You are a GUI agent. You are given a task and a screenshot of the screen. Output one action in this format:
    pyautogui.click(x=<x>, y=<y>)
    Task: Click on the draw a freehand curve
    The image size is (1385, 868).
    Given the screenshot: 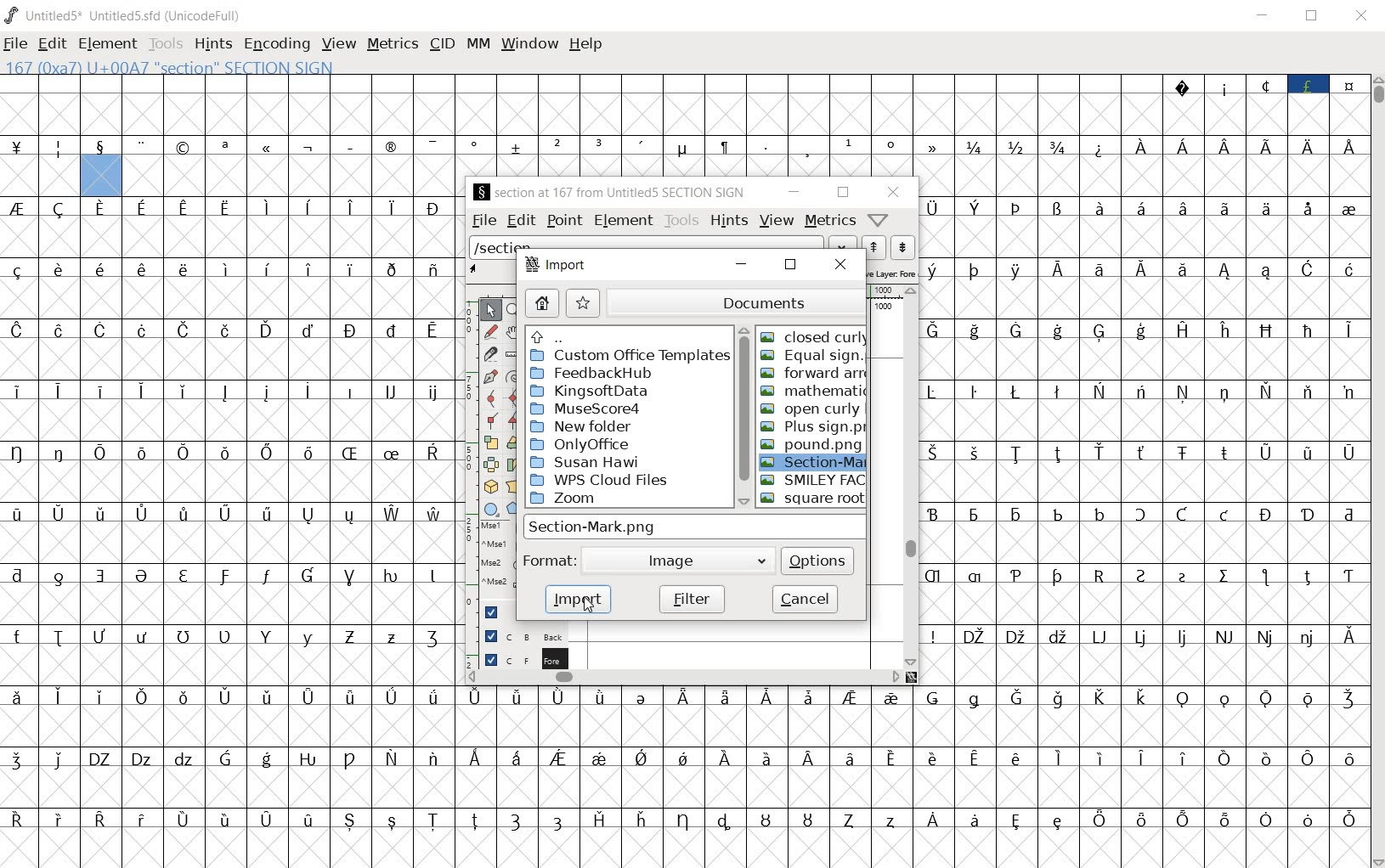 What is the action you would take?
    pyautogui.click(x=490, y=330)
    